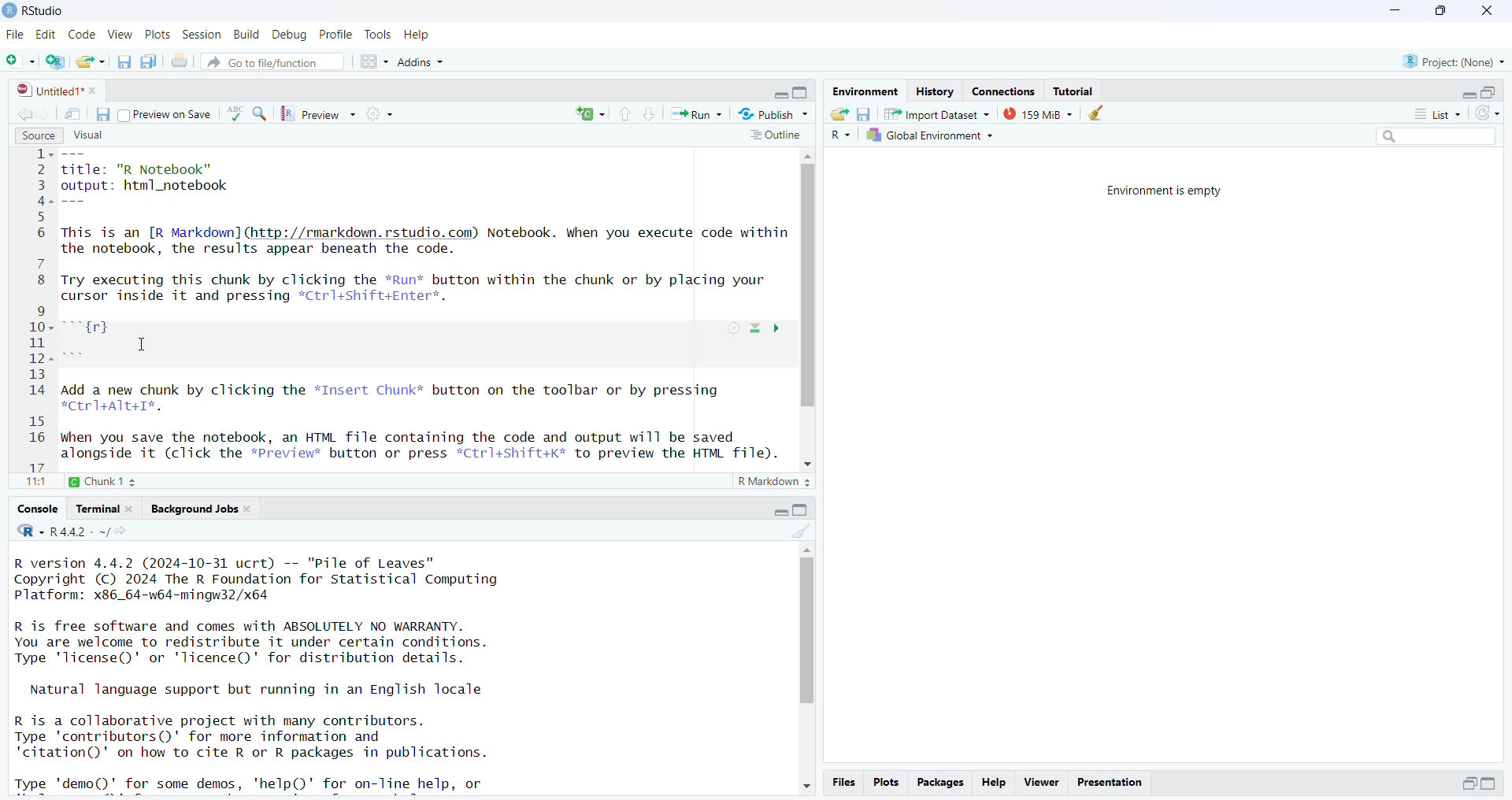 Image resolution: width=1512 pixels, height=800 pixels. Describe the element at coordinates (36, 135) in the screenshot. I see `source` at that location.